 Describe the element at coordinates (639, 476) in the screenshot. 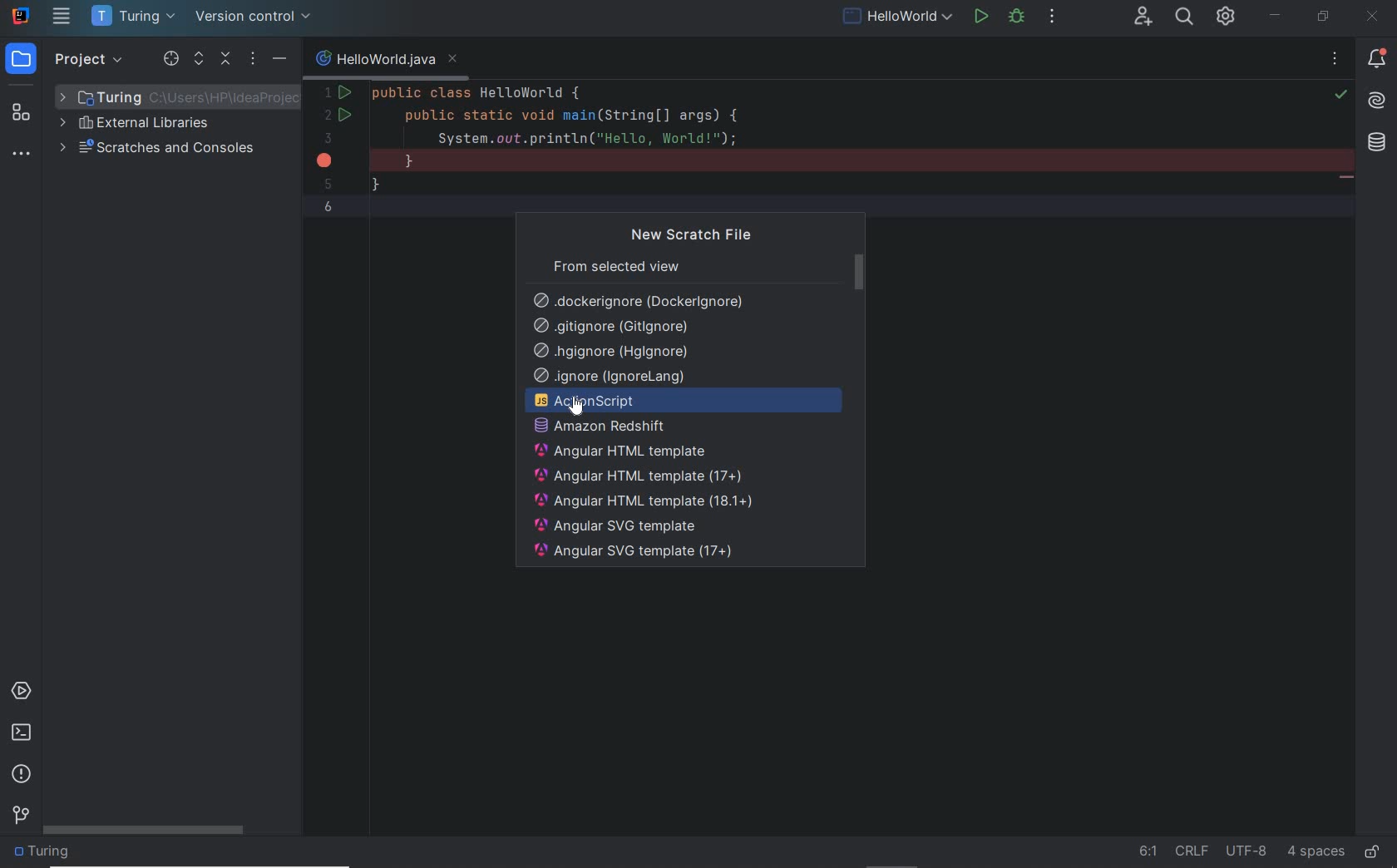

I see `angular html template (17+)` at that location.